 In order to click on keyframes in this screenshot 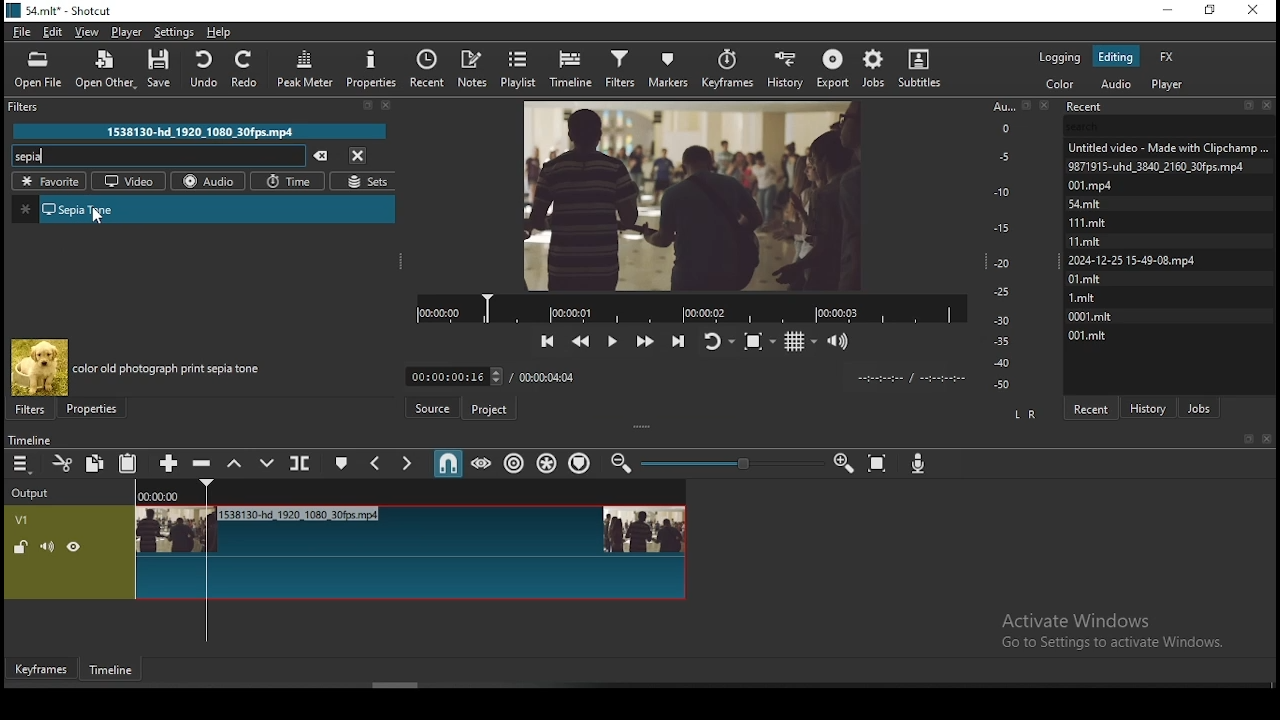, I will do `click(730, 65)`.